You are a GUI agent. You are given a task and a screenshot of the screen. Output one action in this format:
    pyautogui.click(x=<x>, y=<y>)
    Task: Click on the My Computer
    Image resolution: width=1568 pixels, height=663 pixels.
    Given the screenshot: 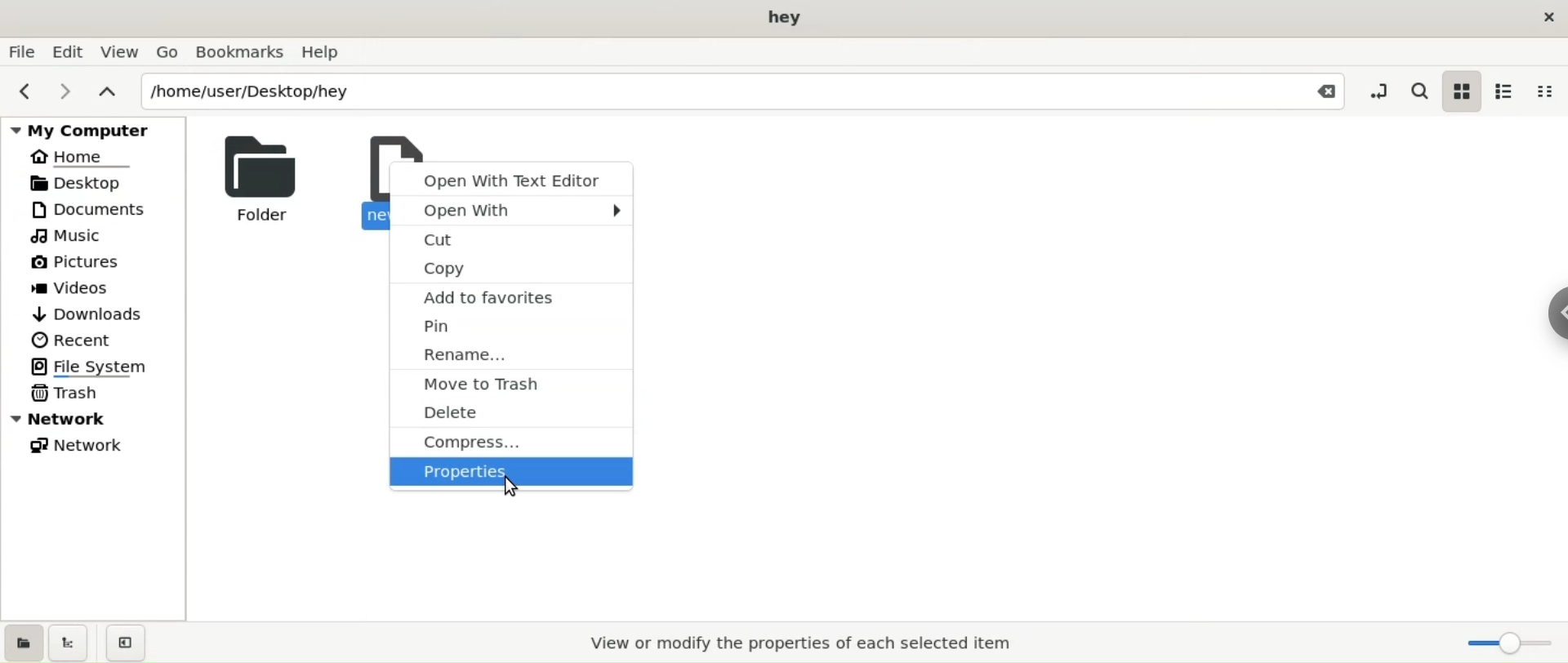 What is the action you would take?
    pyautogui.click(x=91, y=129)
    